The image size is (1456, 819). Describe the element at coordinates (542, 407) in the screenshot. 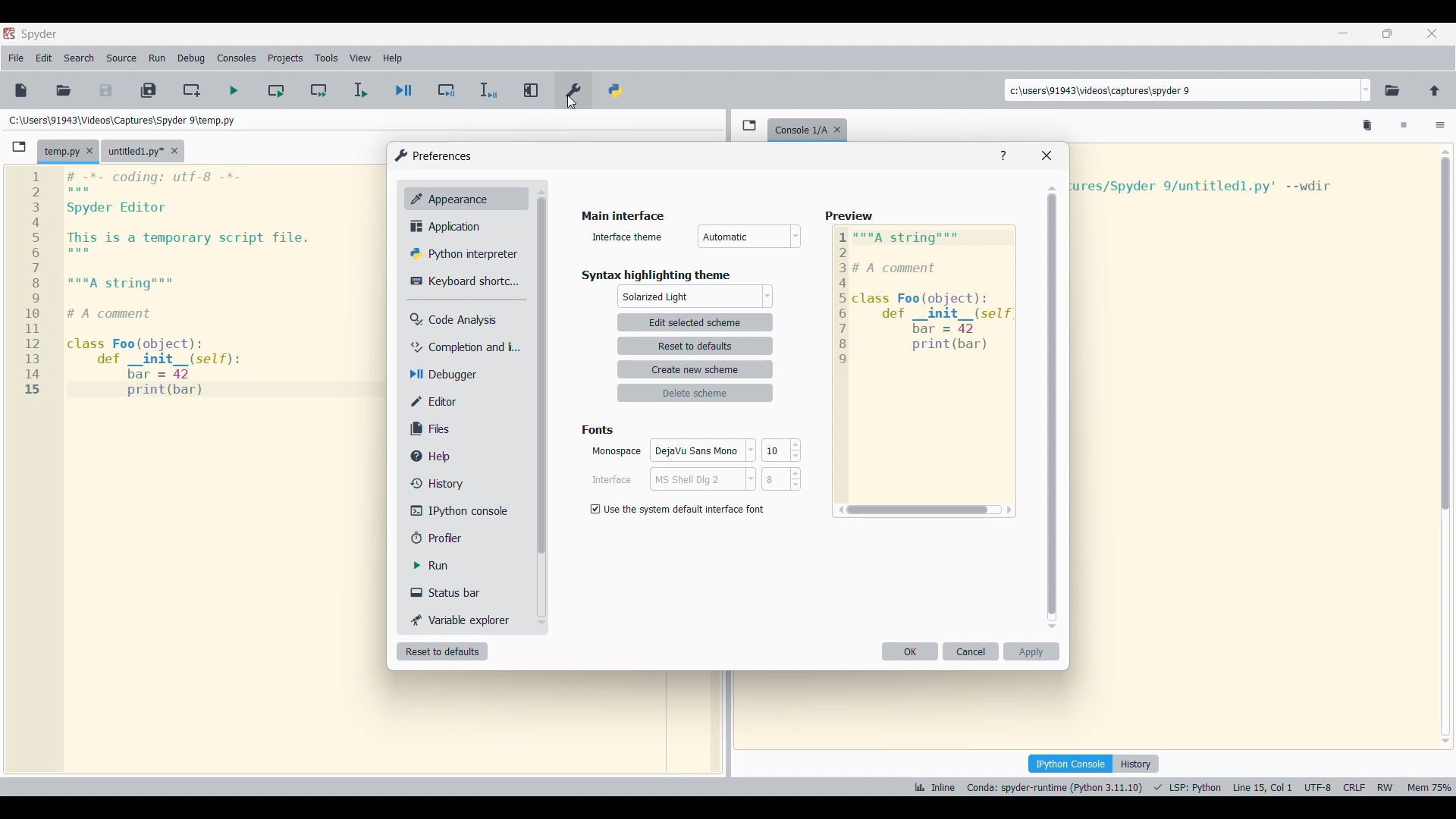

I see `Vertical slide bar` at that location.